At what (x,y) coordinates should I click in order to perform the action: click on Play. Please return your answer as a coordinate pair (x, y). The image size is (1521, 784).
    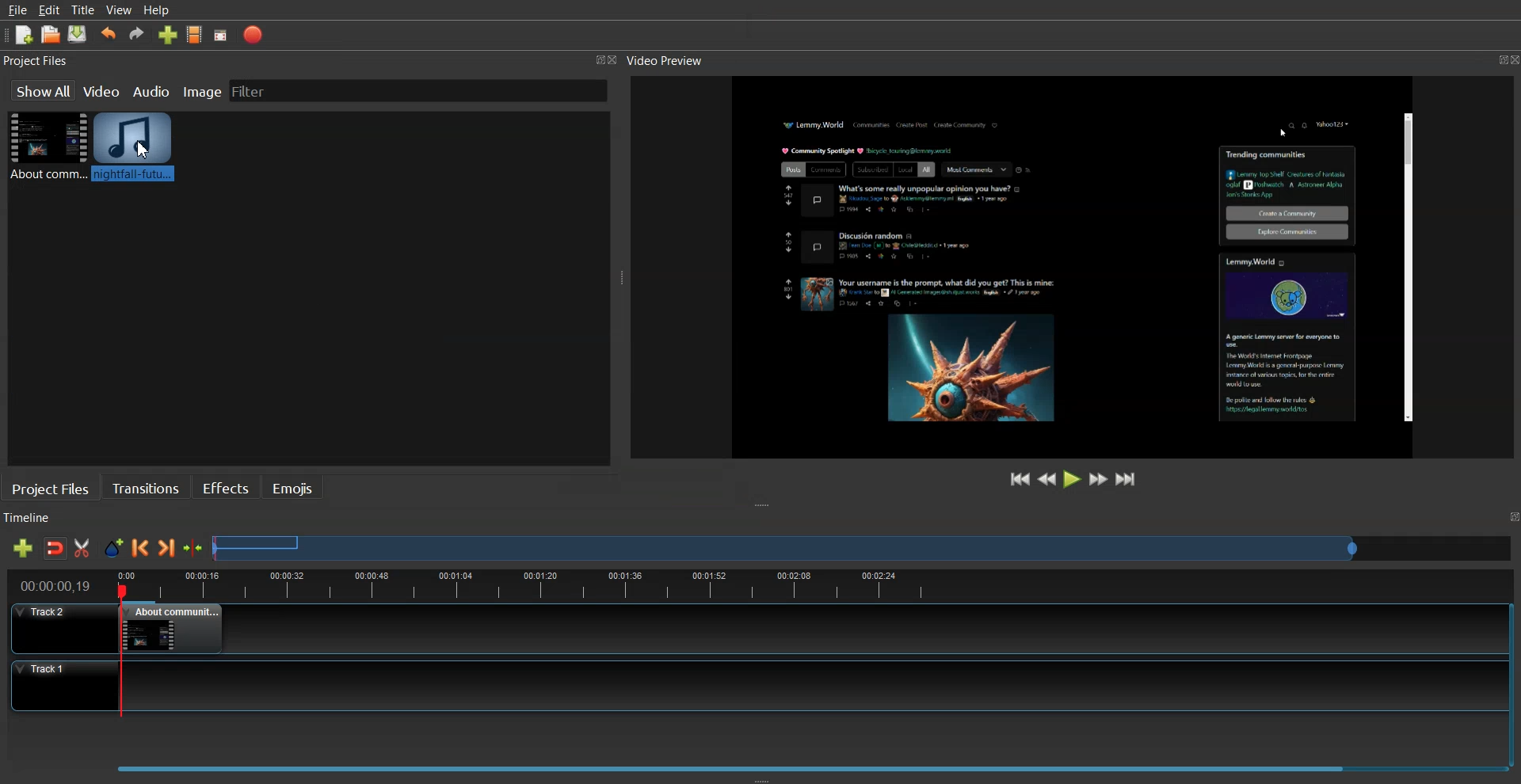
    Looking at the image, I should click on (1073, 478).